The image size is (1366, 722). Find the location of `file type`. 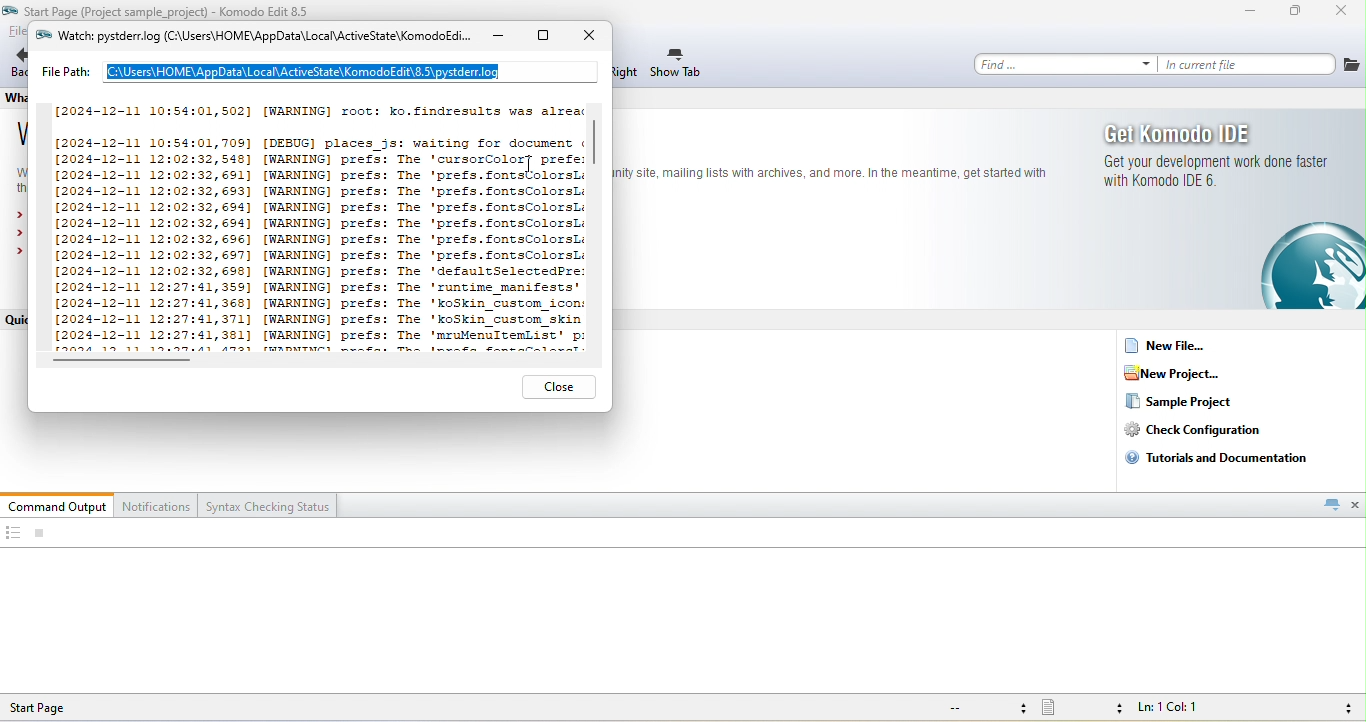

file type is located at coordinates (1082, 709).